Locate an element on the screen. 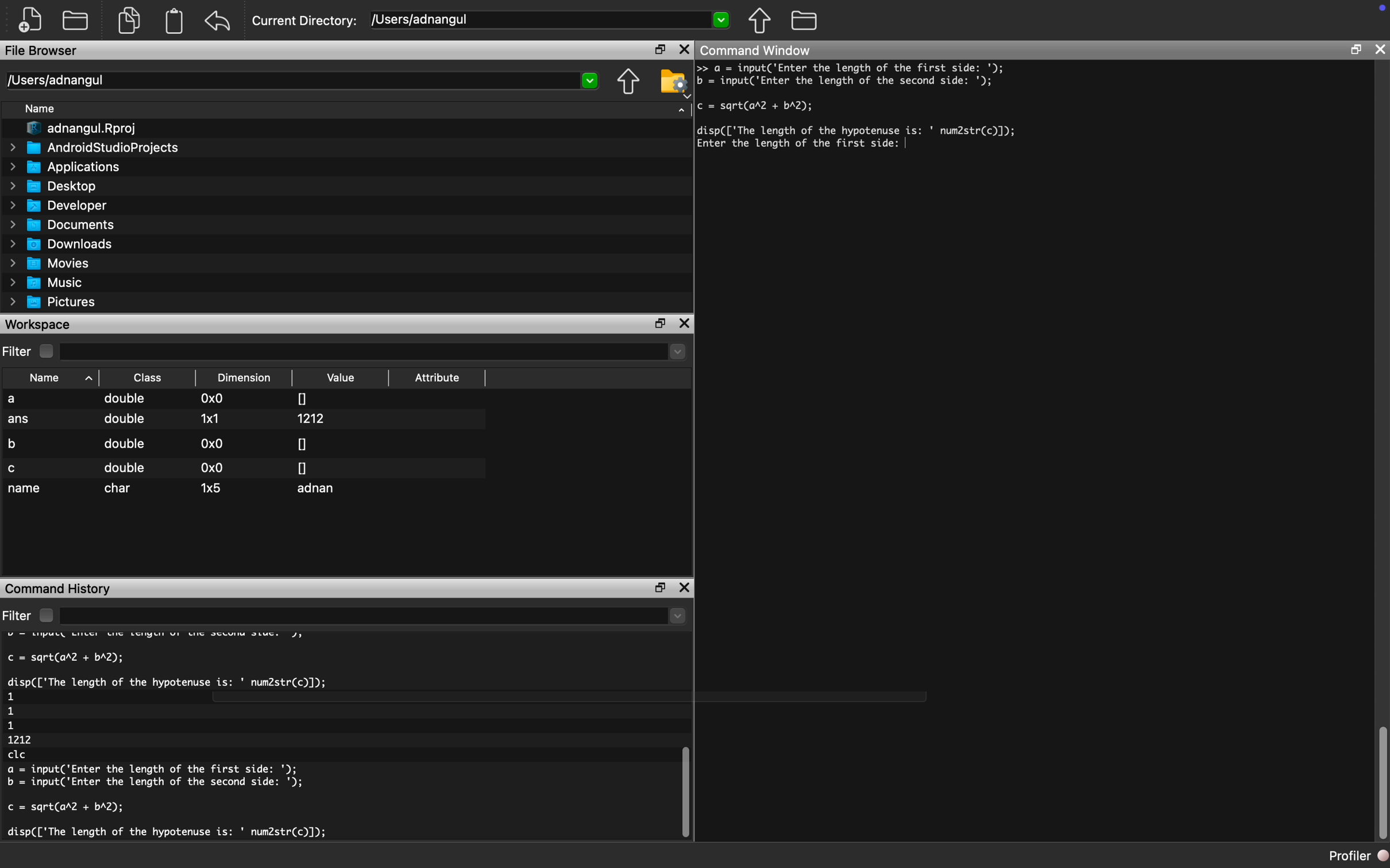  dropdown is located at coordinates (375, 617).